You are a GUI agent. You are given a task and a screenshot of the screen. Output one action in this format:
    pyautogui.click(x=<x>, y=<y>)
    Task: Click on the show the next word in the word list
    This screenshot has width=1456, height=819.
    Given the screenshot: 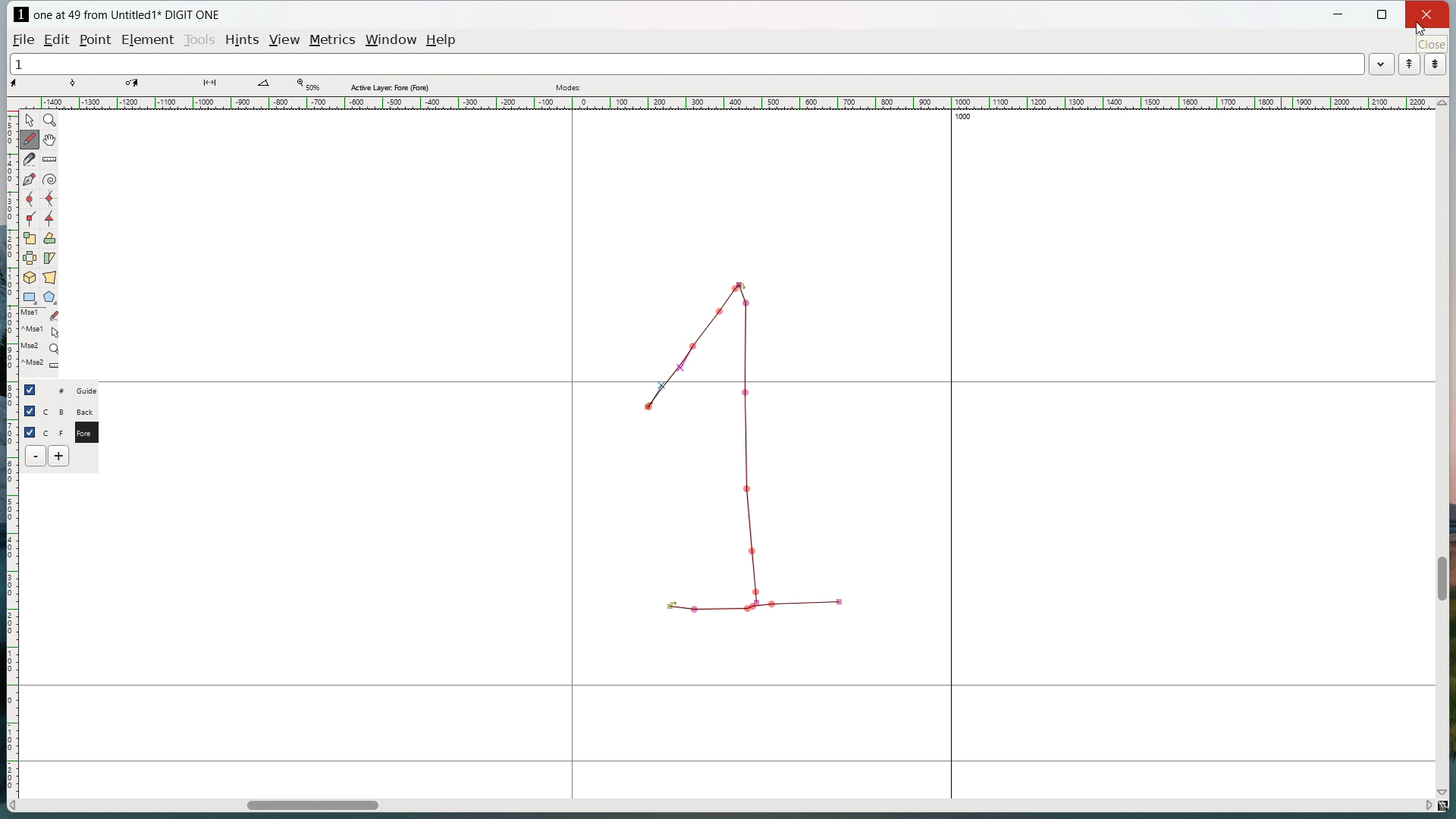 What is the action you would take?
    pyautogui.click(x=1436, y=64)
    